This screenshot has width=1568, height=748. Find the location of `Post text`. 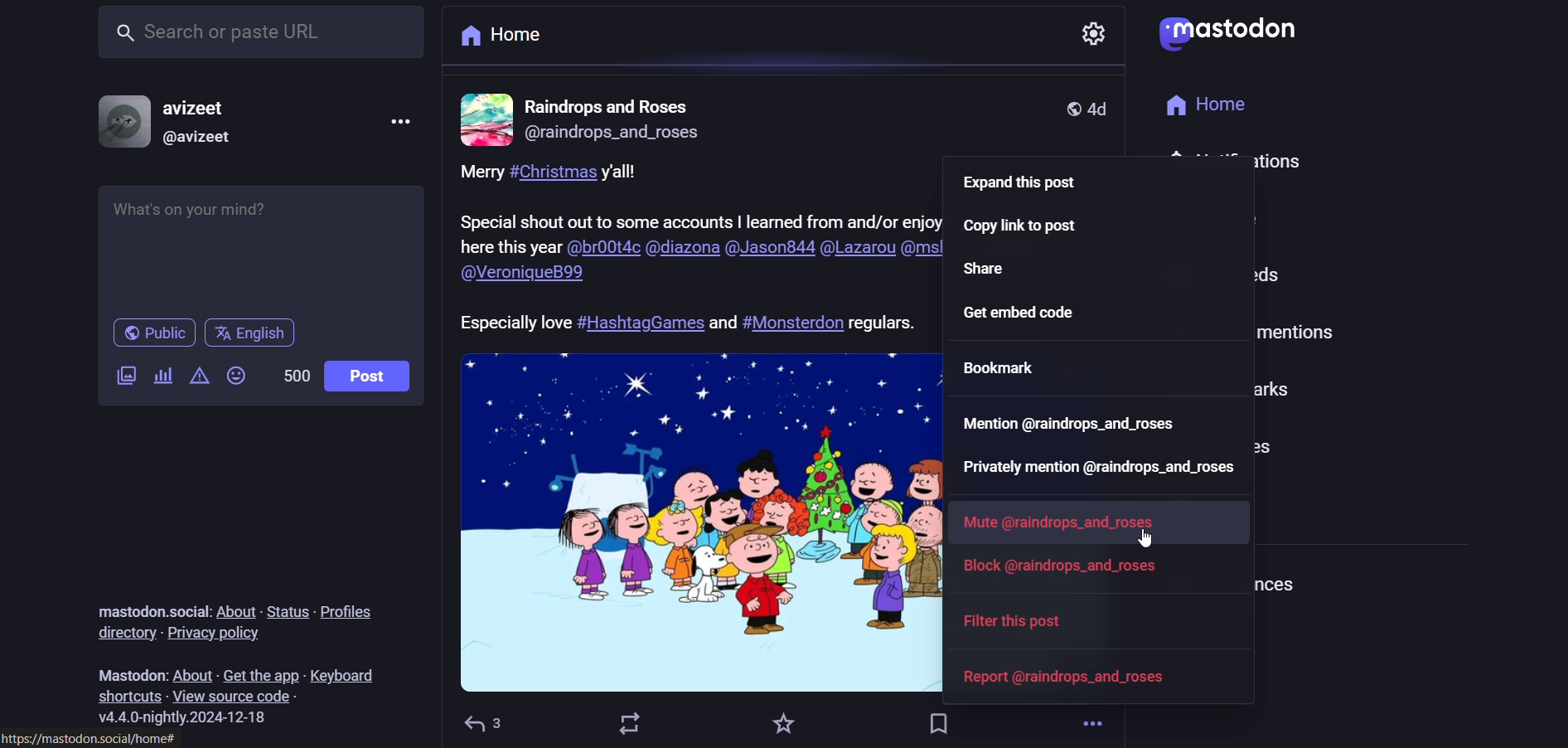

Post text is located at coordinates (682, 319).